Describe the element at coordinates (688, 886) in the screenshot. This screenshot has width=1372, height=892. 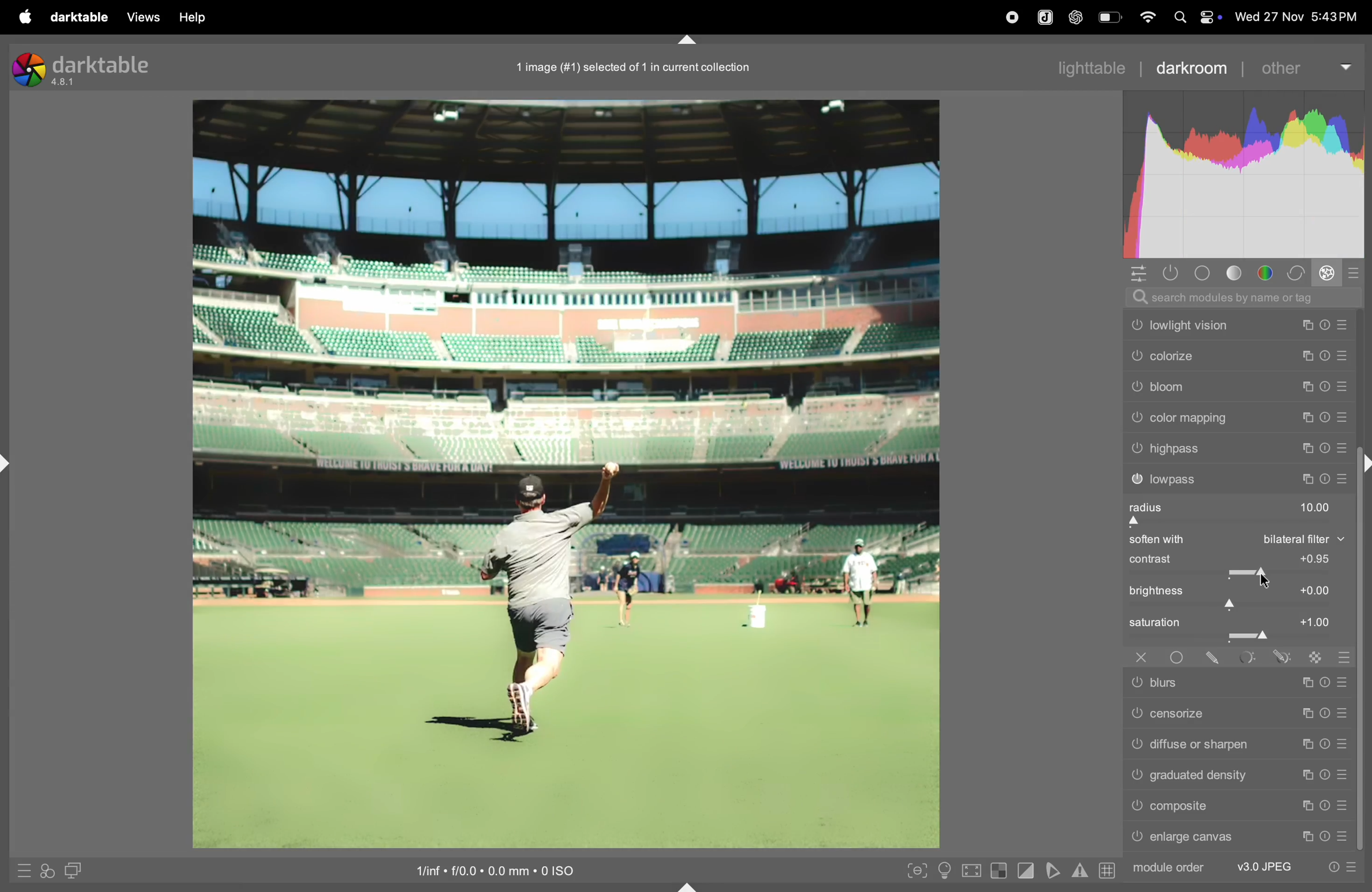
I see `shift+ctrl+b` at that location.